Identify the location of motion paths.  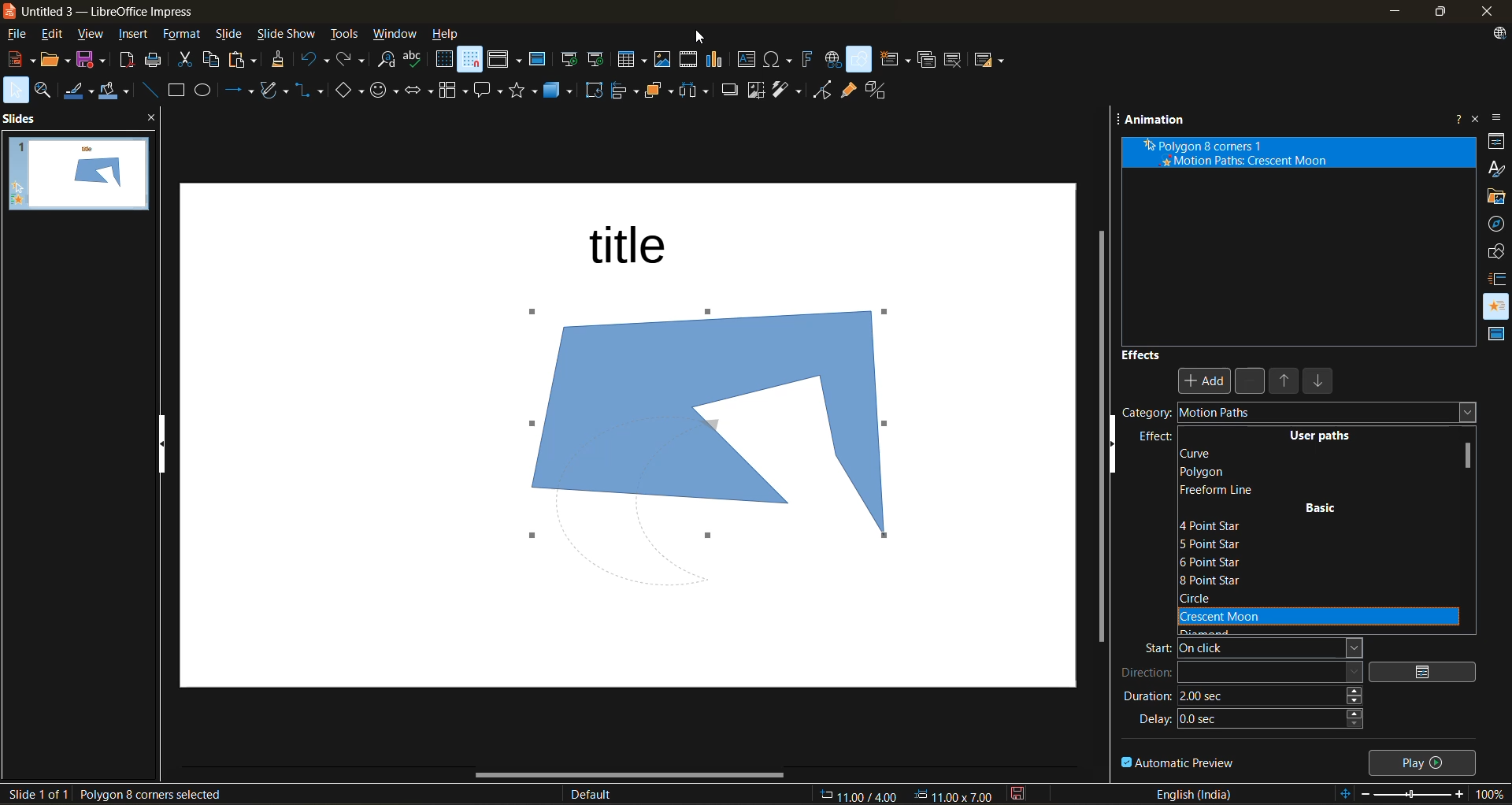
(1327, 414).